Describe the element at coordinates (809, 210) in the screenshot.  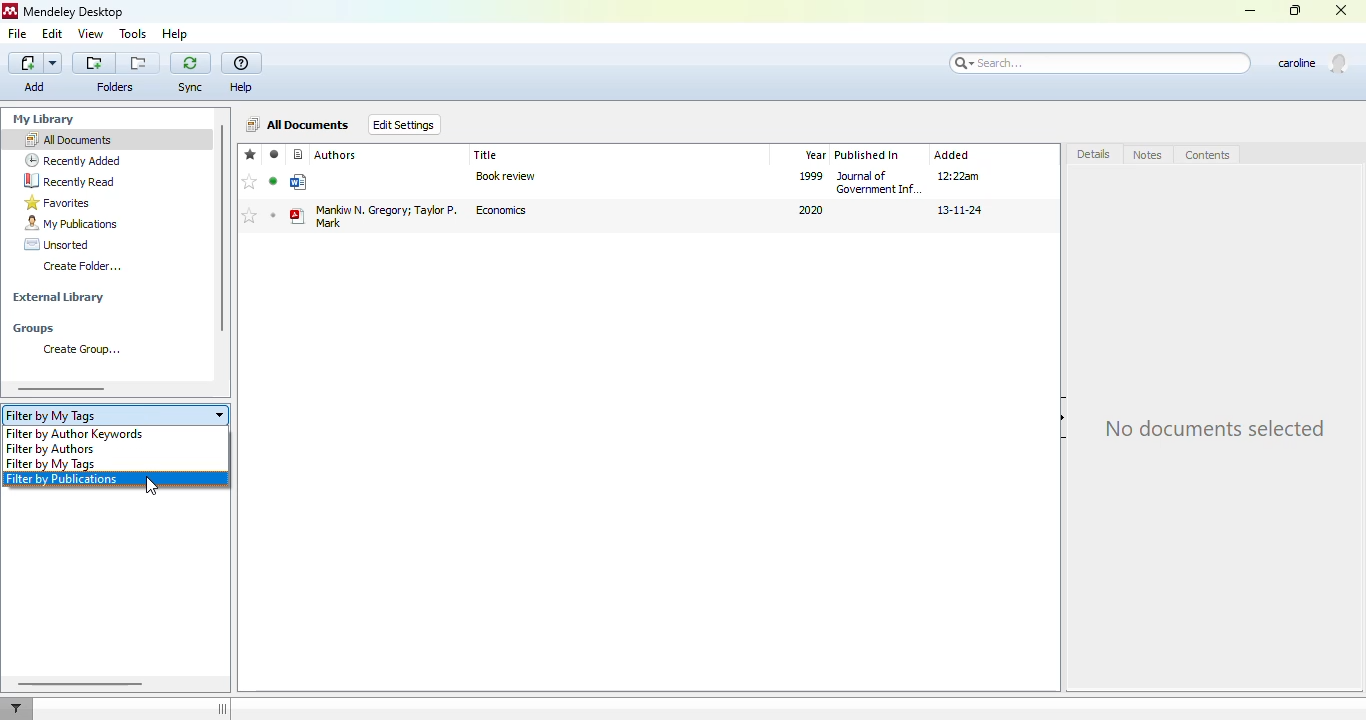
I see `2020` at that location.